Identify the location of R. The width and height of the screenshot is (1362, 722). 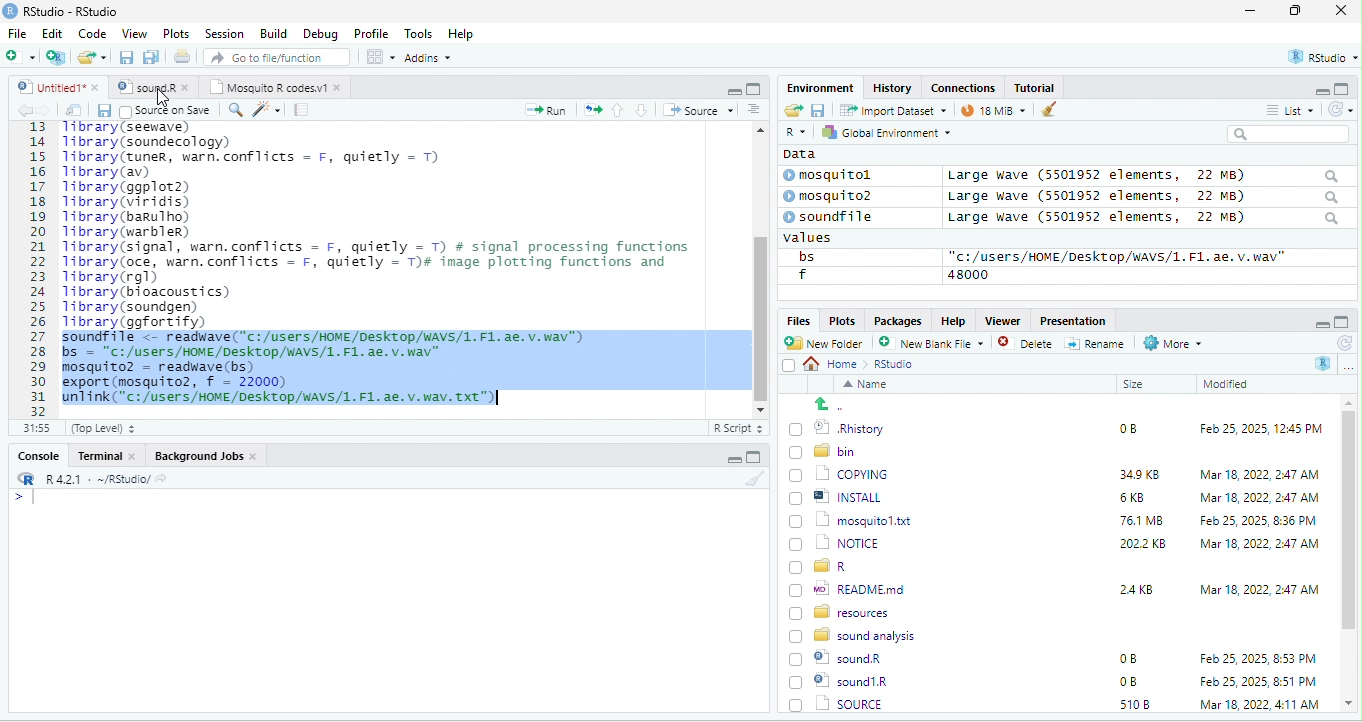
(794, 133).